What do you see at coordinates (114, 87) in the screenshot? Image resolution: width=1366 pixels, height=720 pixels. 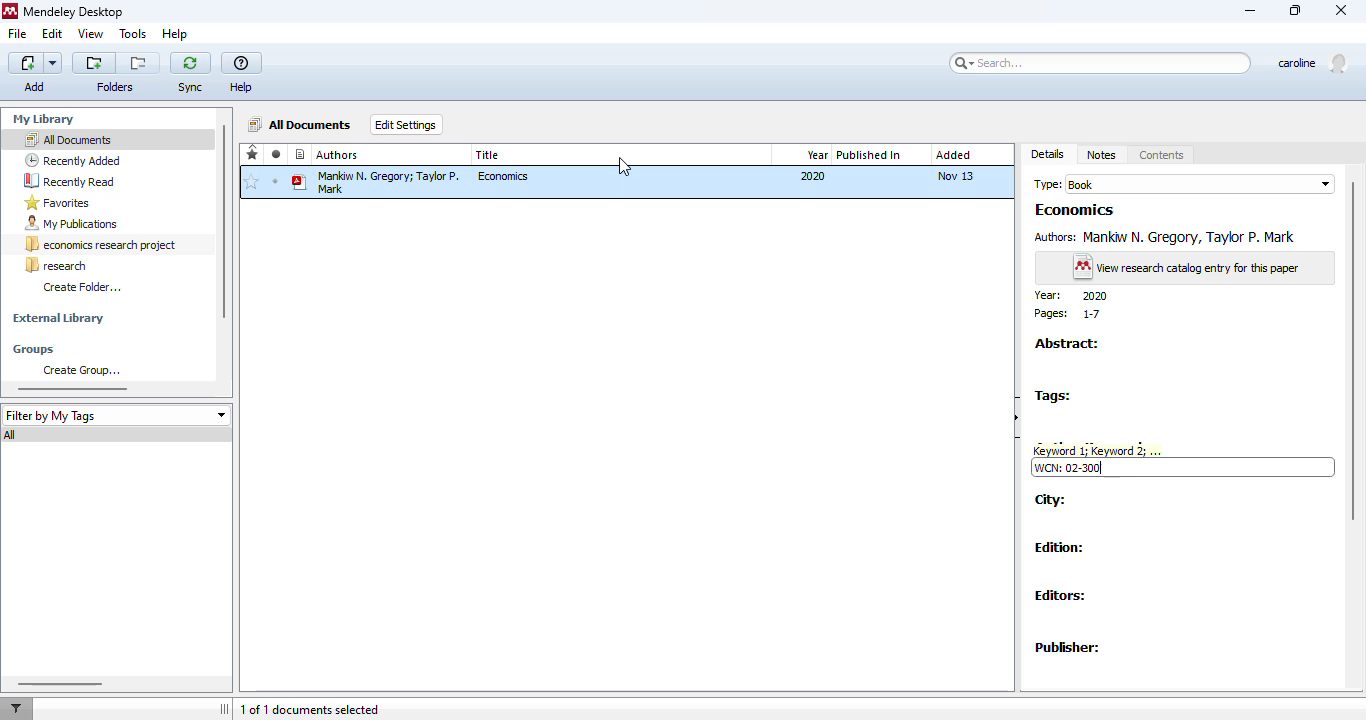 I see `folders` at bounding box center [114, 87].